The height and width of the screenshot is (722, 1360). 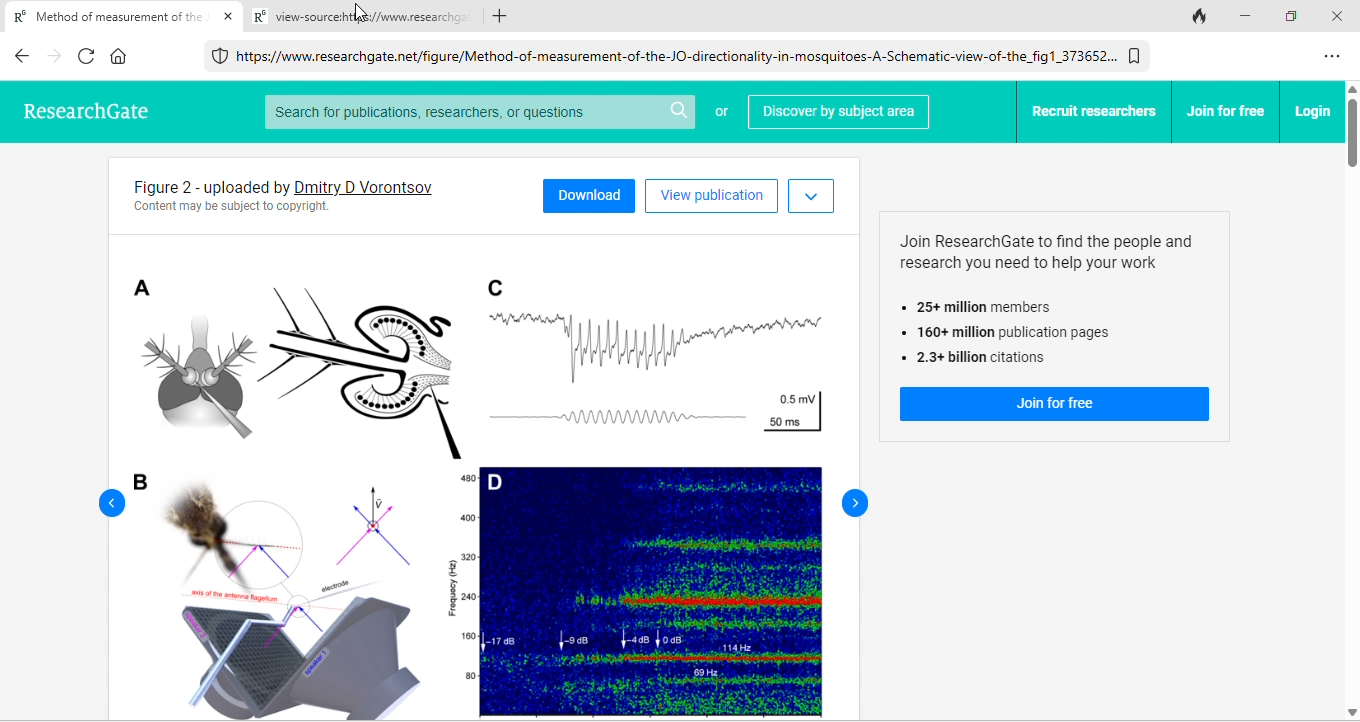 I want to click on search bar, so click(x=478, y=111).